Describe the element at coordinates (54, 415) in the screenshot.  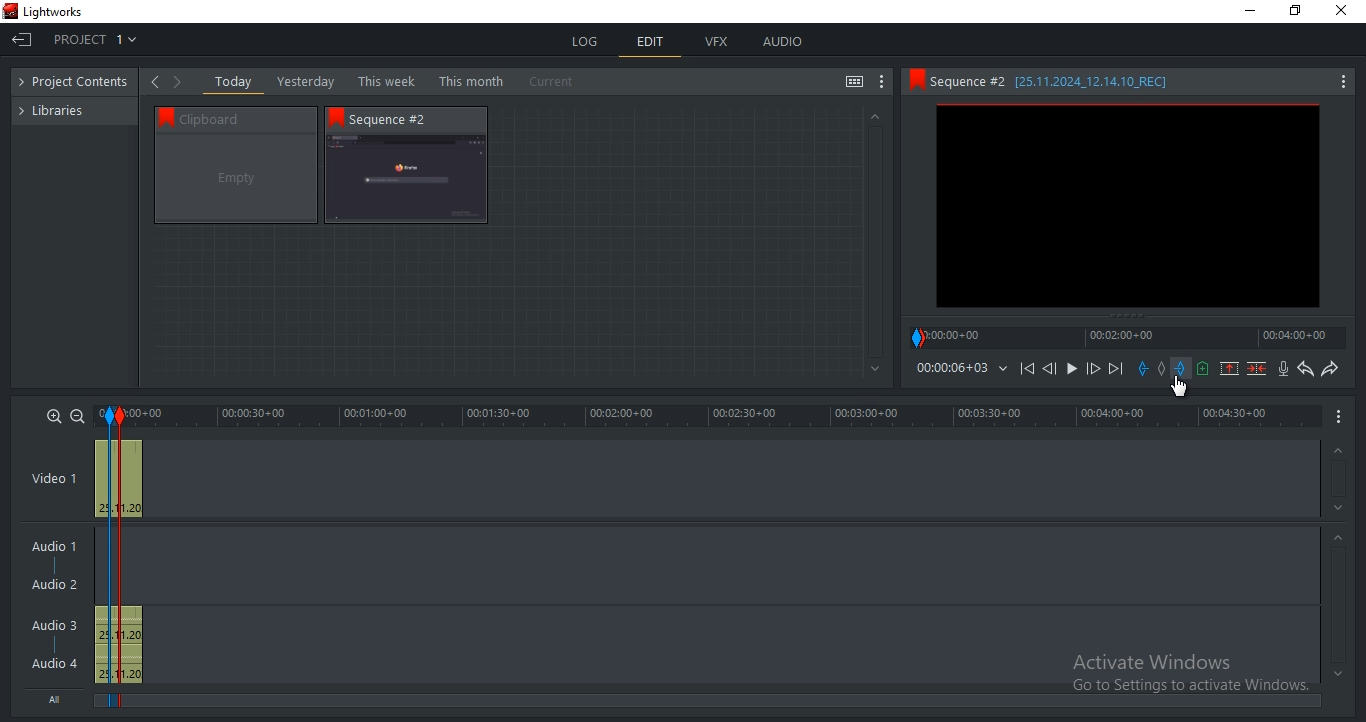
I see `zoom in` at that location.